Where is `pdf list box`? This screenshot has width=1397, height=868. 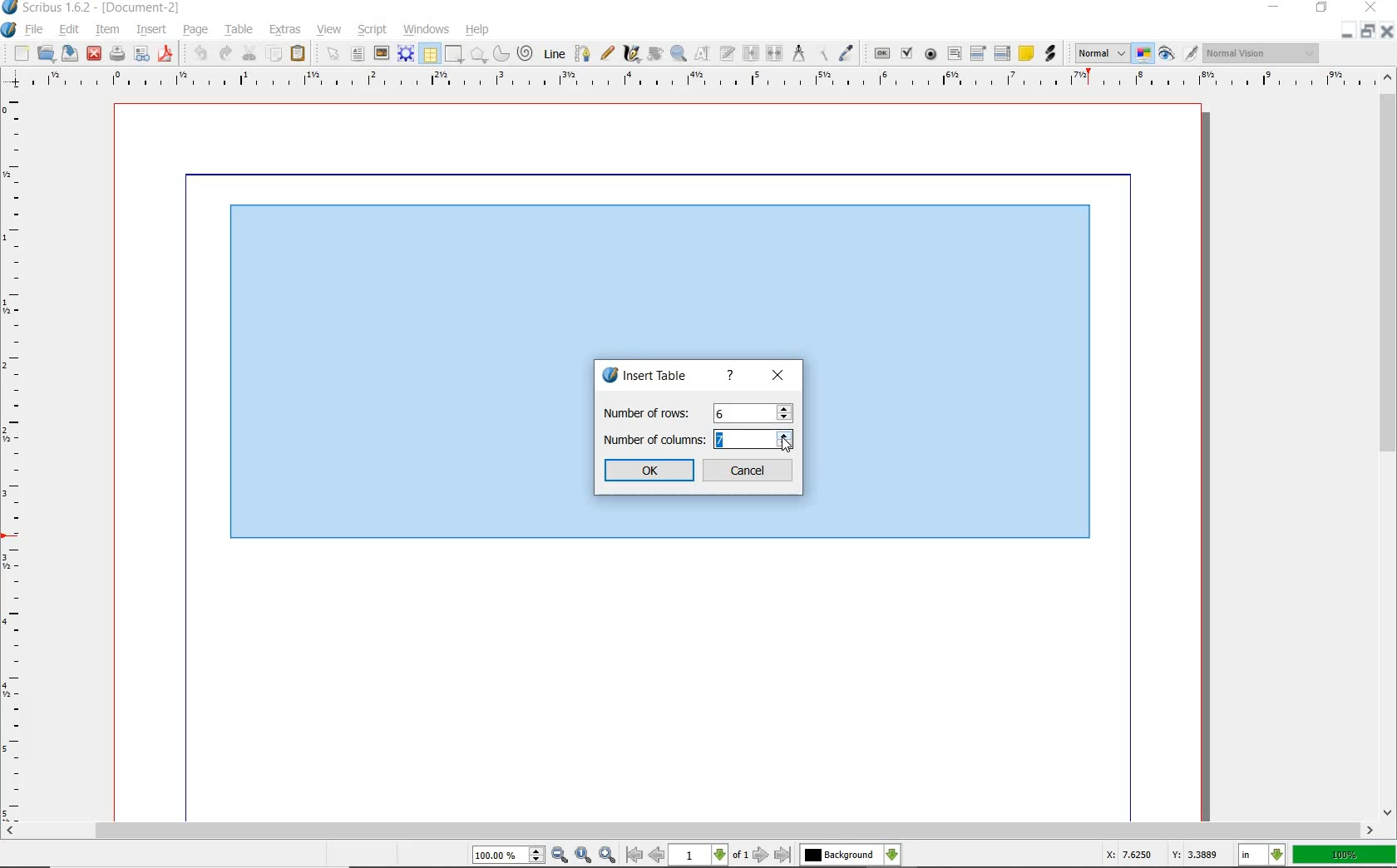 pdf list box is located at coordinates (1003, 52).